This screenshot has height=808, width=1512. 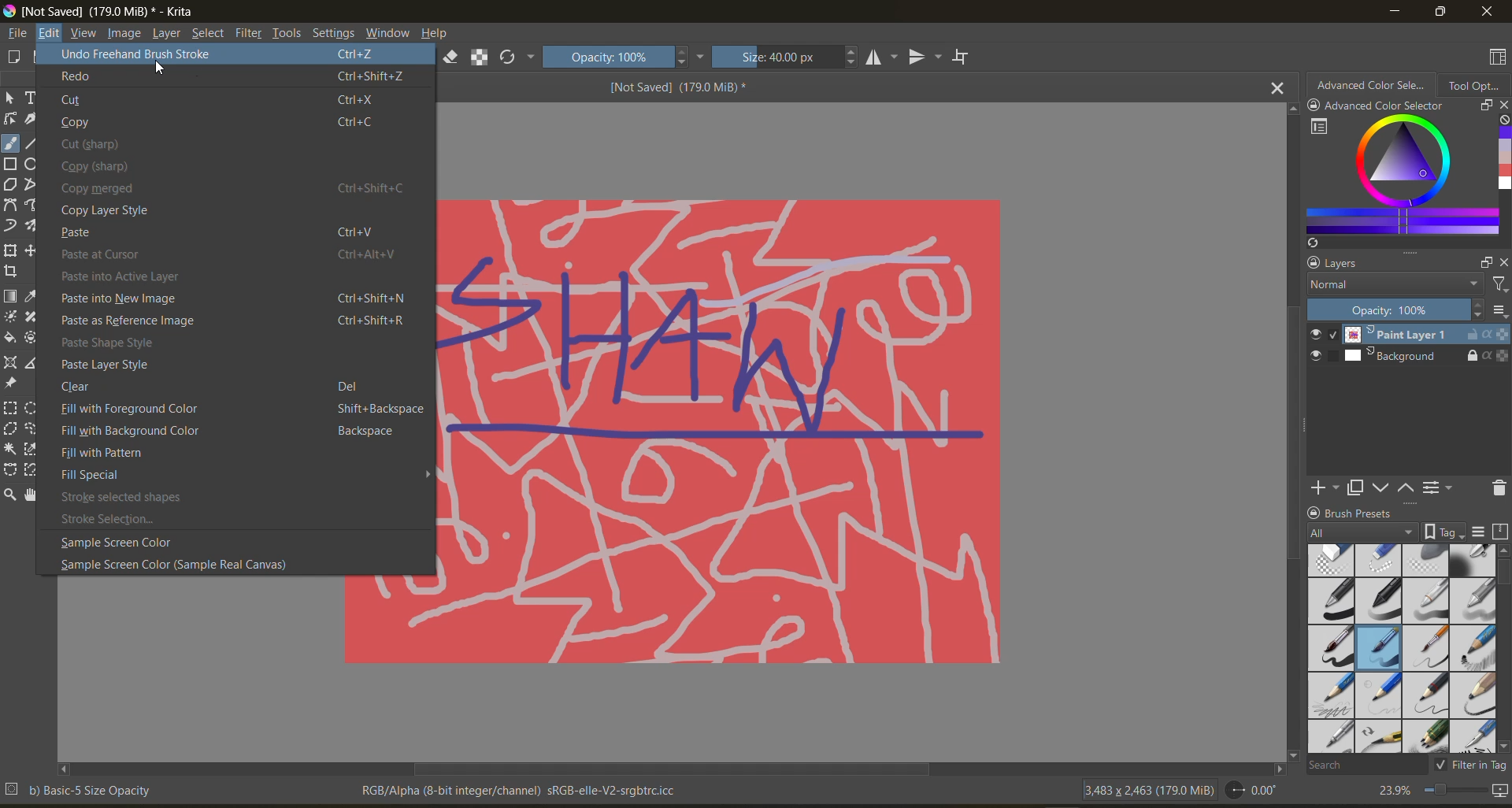 I want to click on opacity: 100%, so click(x=624, y=57).